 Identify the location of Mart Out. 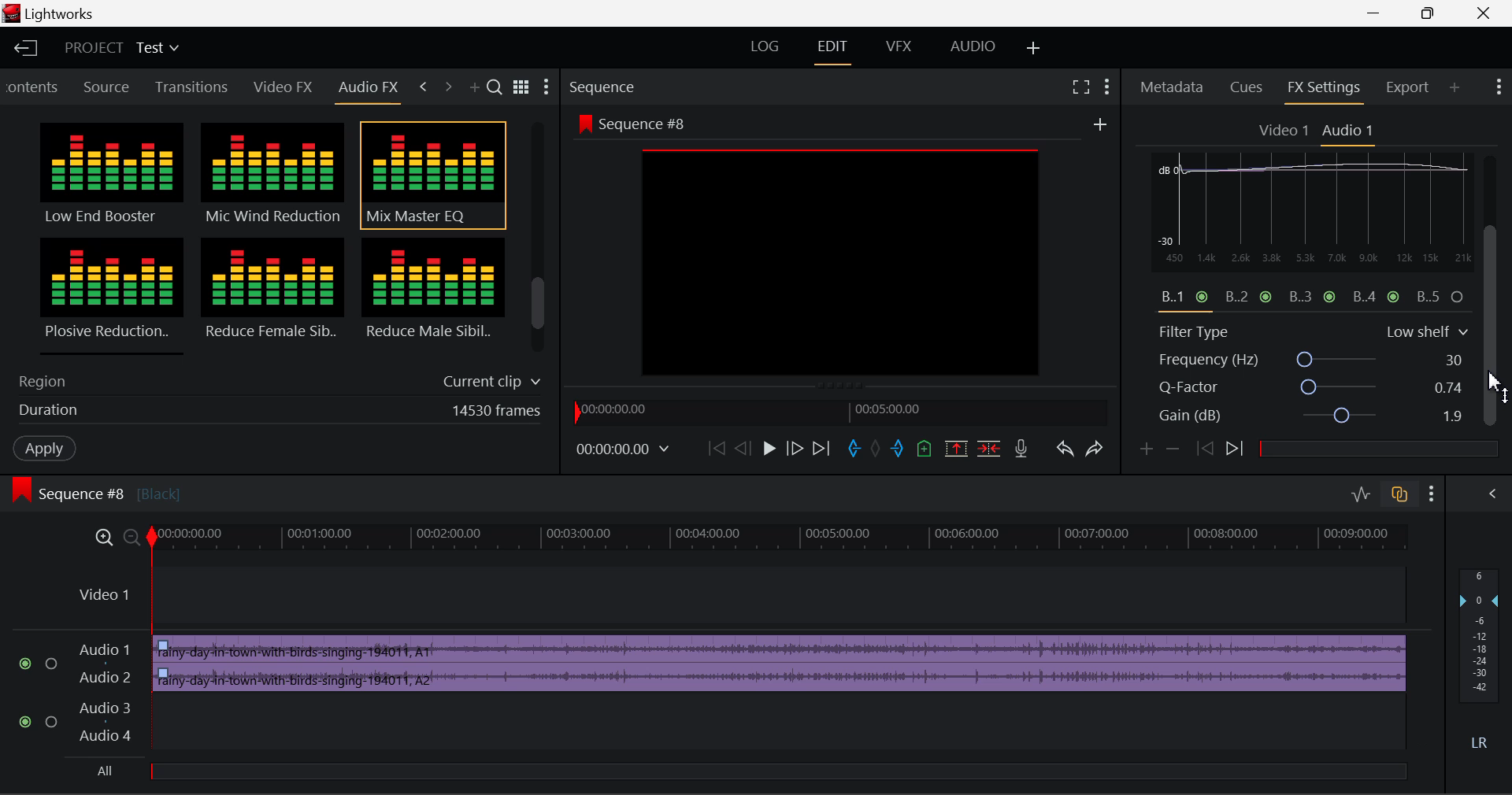
(899, 449).